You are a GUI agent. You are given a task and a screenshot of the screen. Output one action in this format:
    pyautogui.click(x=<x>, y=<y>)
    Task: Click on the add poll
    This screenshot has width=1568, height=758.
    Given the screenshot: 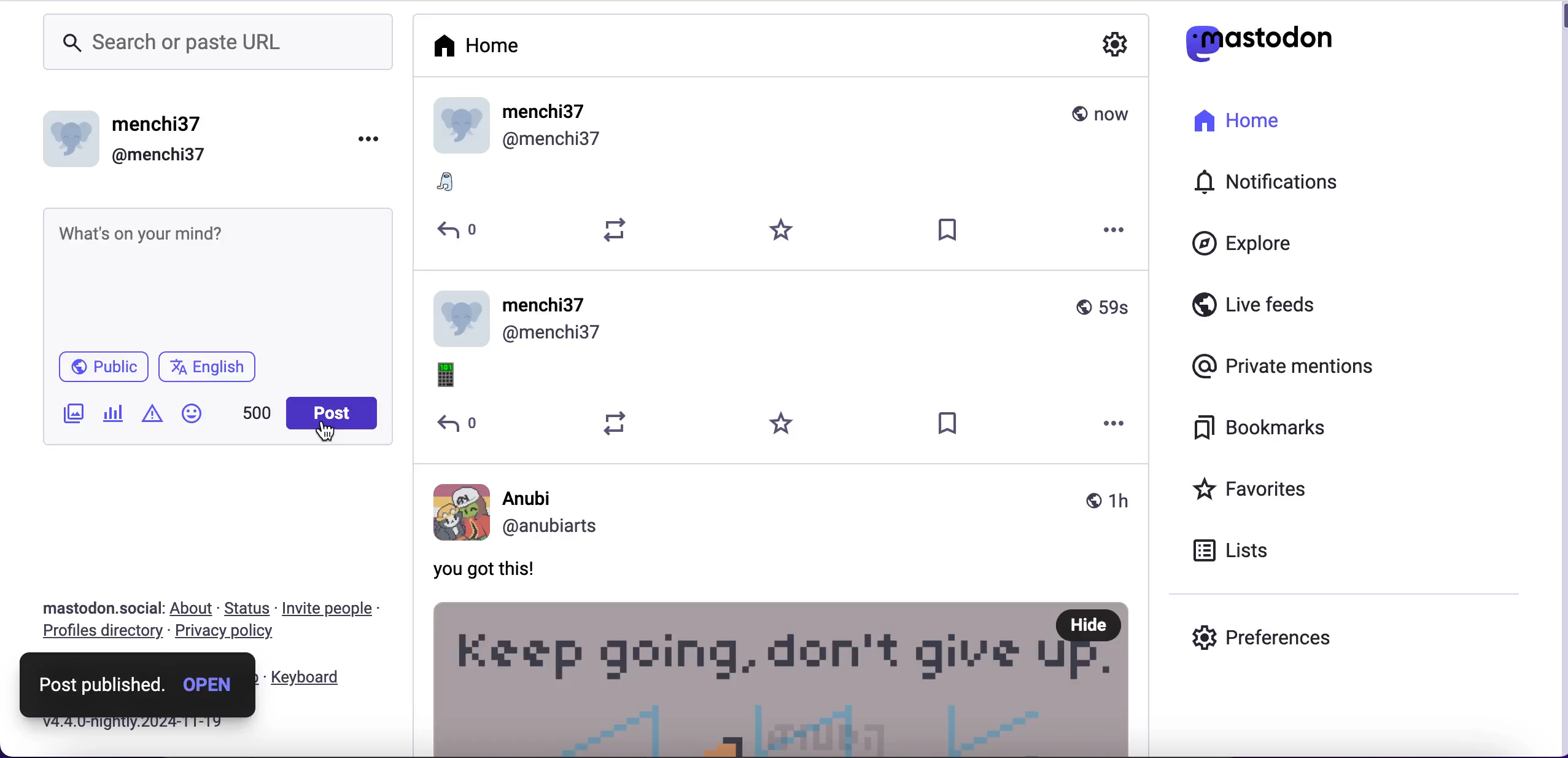 What is the action you would take?
    pyautogui.click(x=113, y=416)
    